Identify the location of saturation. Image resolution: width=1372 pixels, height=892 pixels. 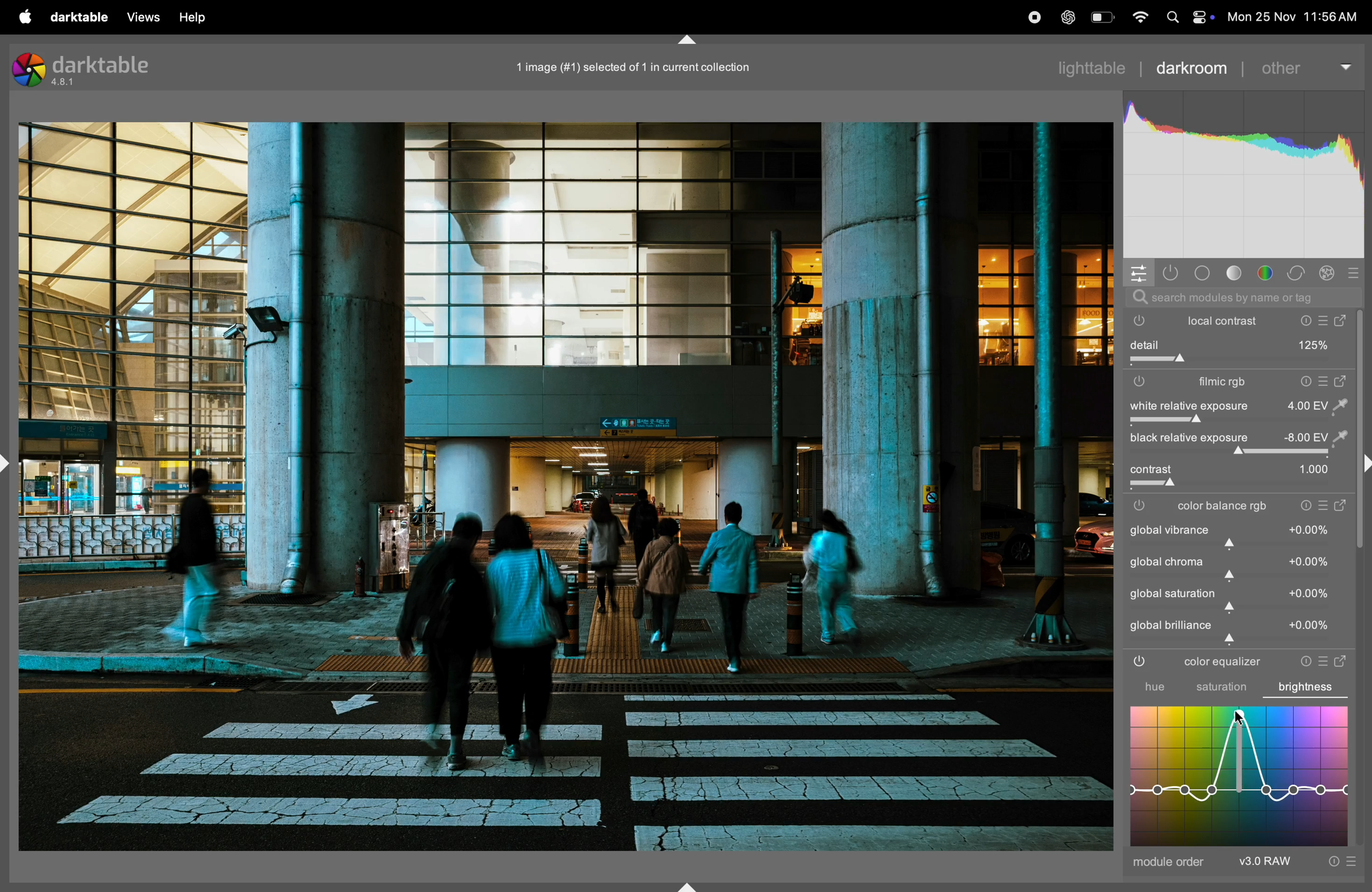
(1220, 689).